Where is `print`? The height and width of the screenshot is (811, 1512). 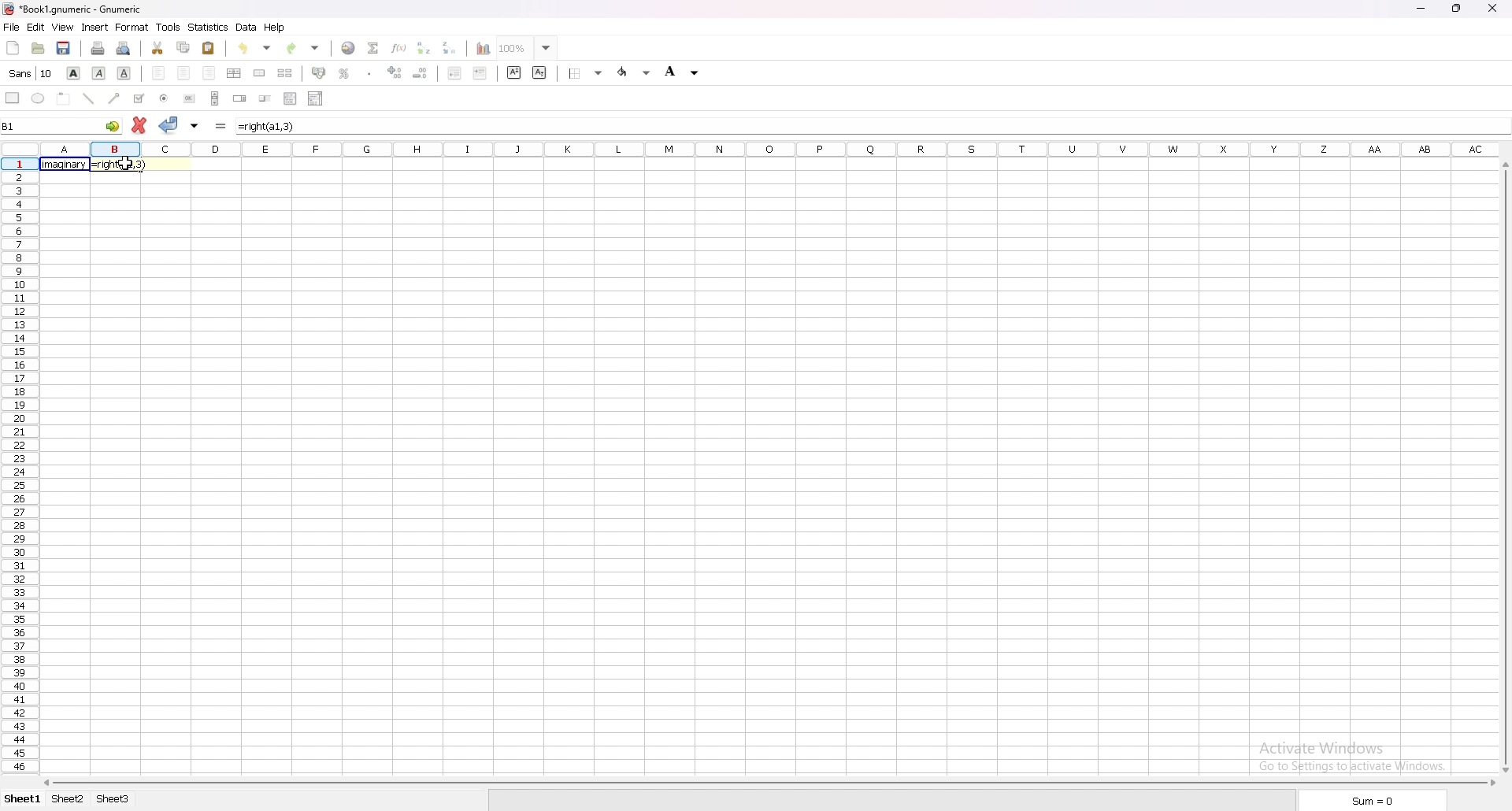
print is located at coordinates (98, 47).